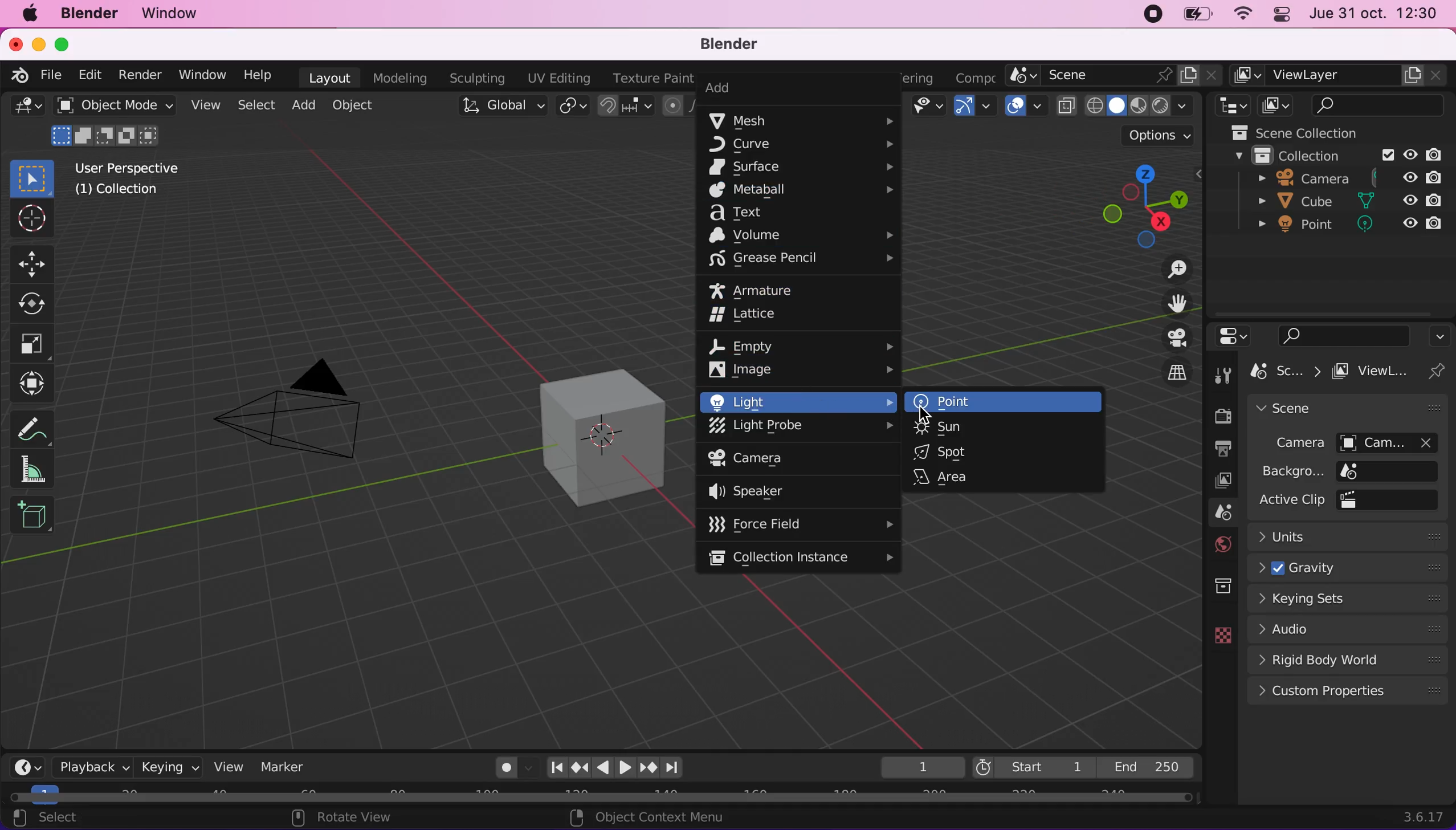 The height and width of the screenshot is (830, 1456). I want to click on metaball, so click(802, 190).